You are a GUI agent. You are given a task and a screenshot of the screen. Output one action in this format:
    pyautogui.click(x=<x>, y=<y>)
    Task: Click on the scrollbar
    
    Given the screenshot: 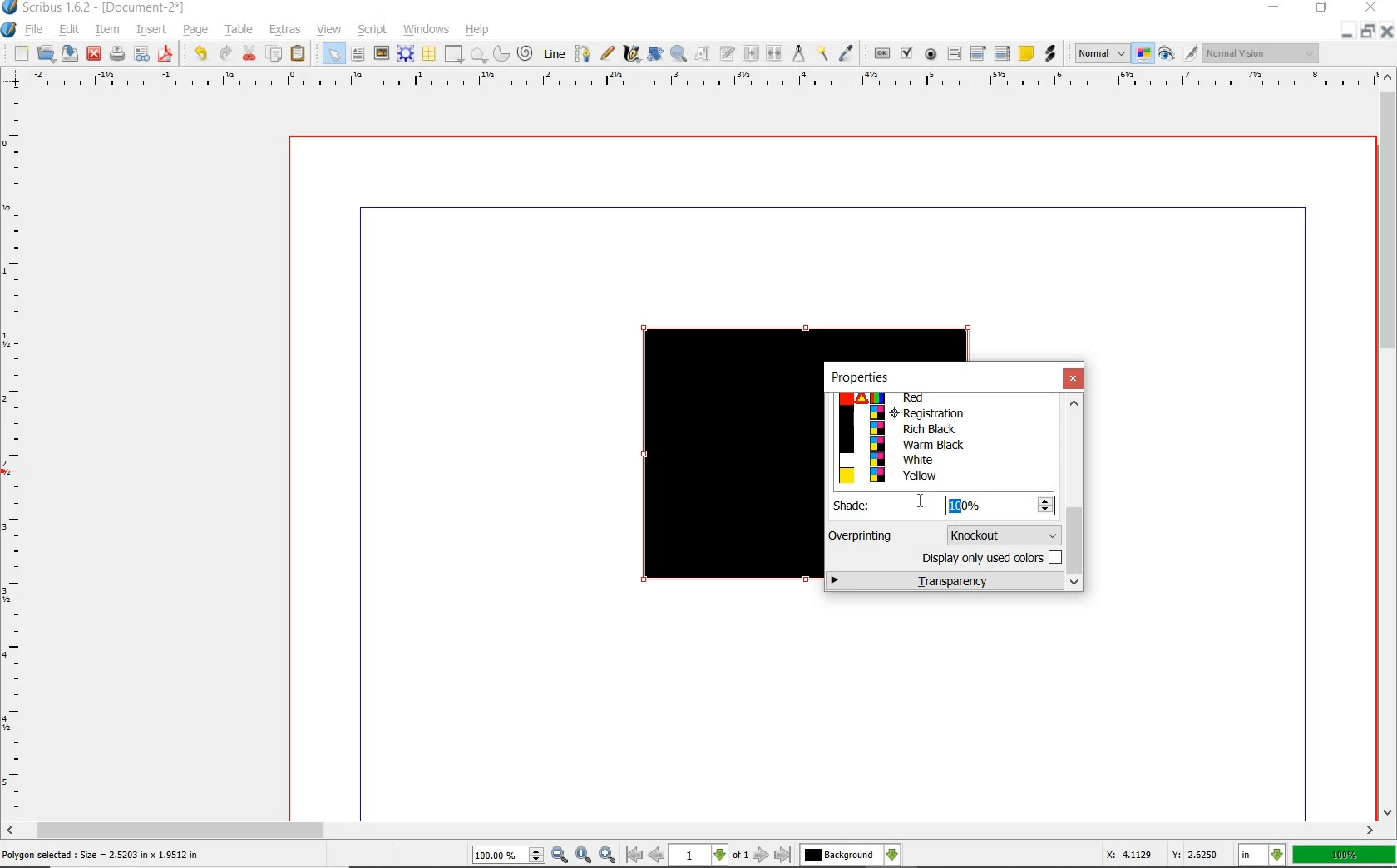 What is the action you would take?
    pyautogui.click(x=1075, y=494)
    